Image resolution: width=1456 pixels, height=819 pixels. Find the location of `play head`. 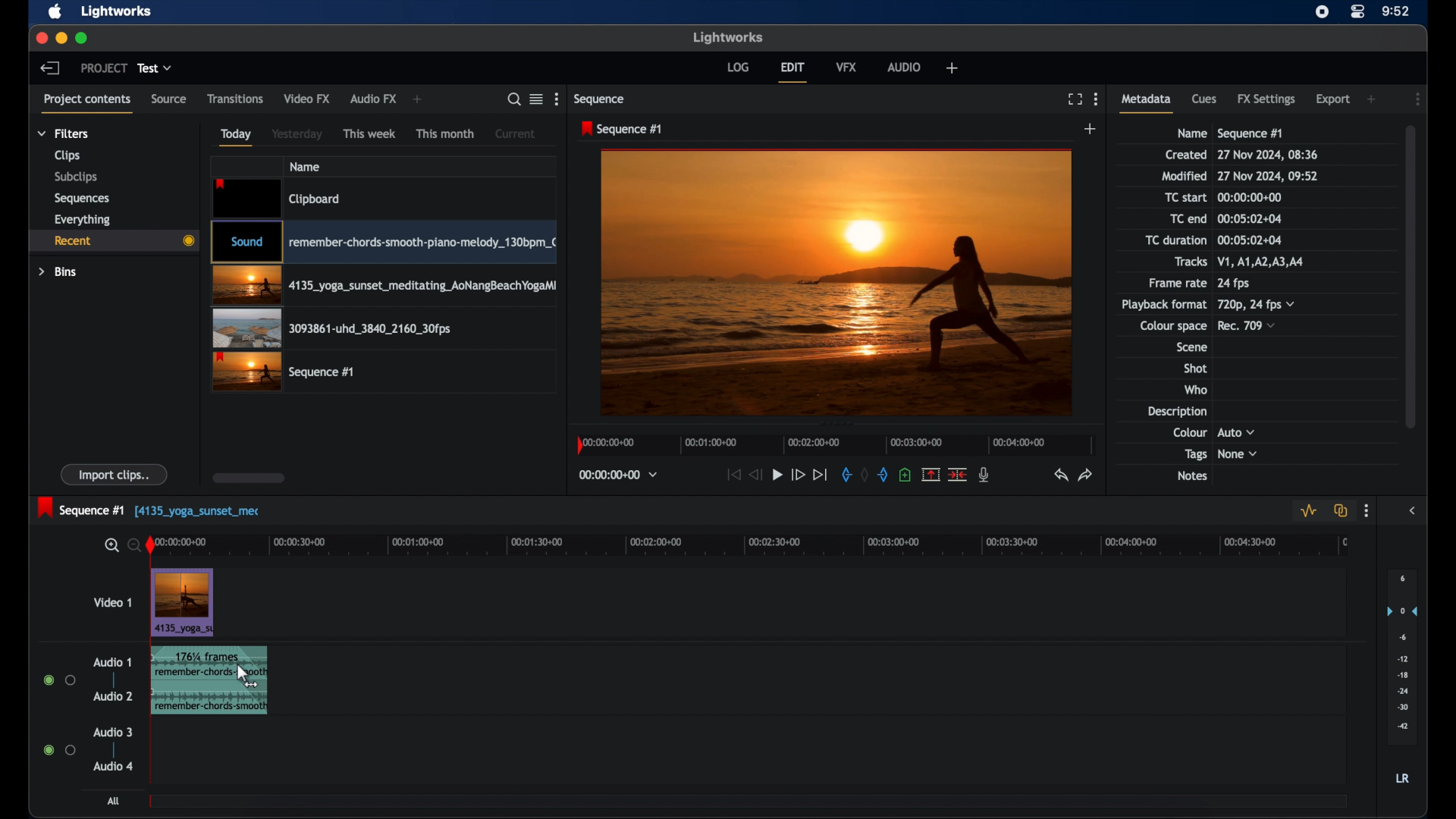

play head is located at coordinates (151, 546).